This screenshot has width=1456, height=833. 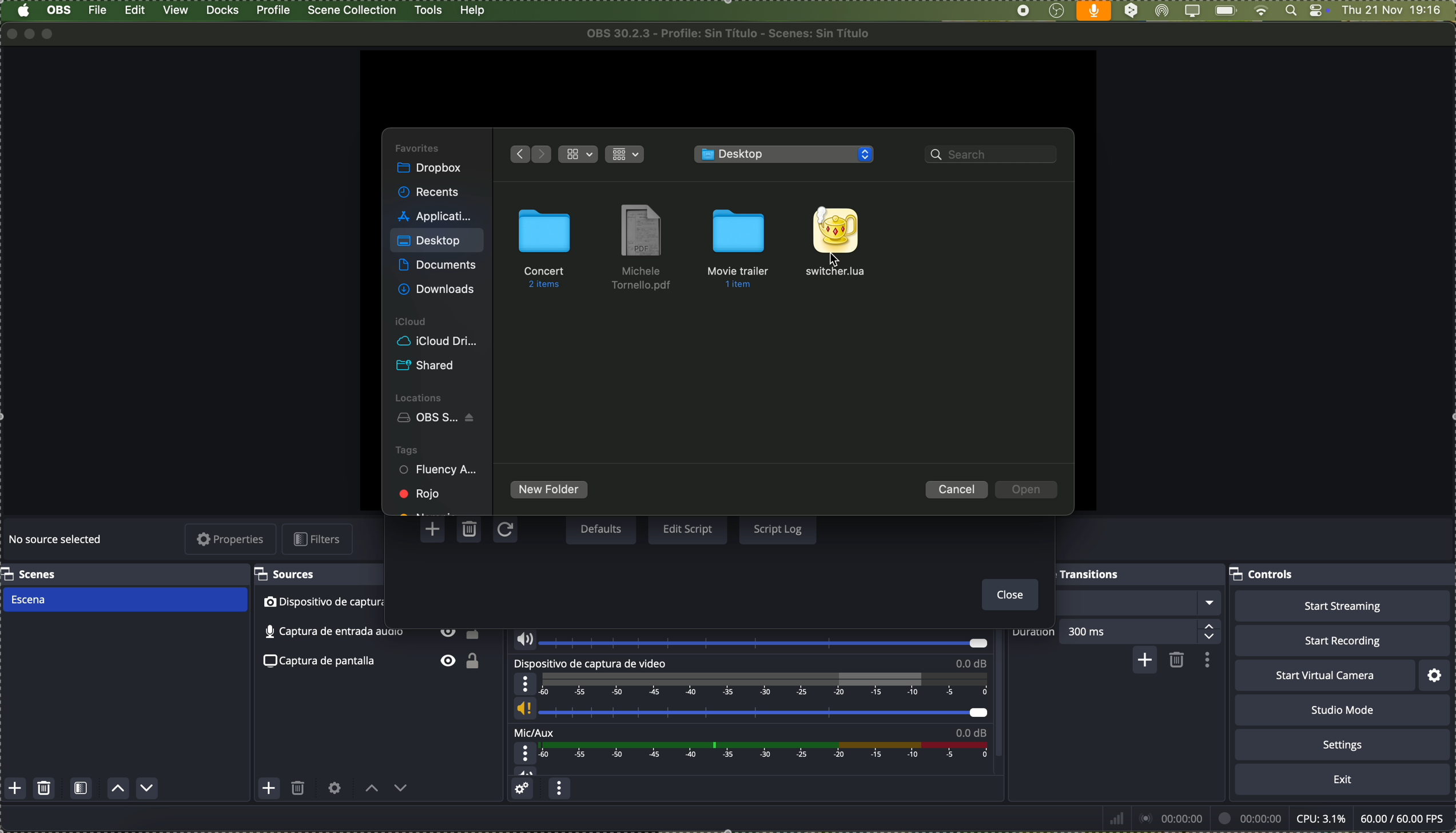 I want to click on video capture device, so click(x=751, y=691).